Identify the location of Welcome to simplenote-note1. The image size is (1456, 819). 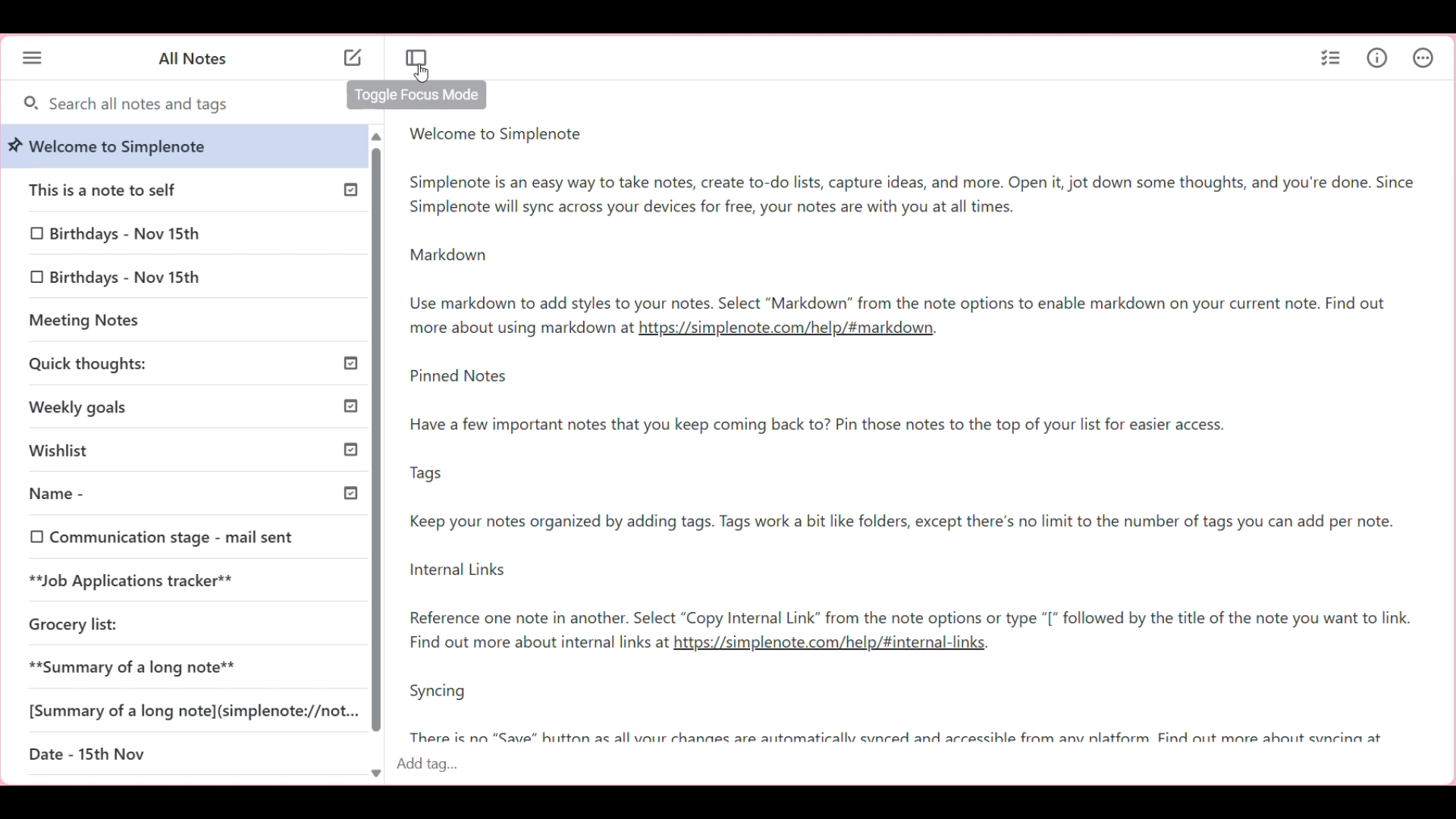
(912, 217).